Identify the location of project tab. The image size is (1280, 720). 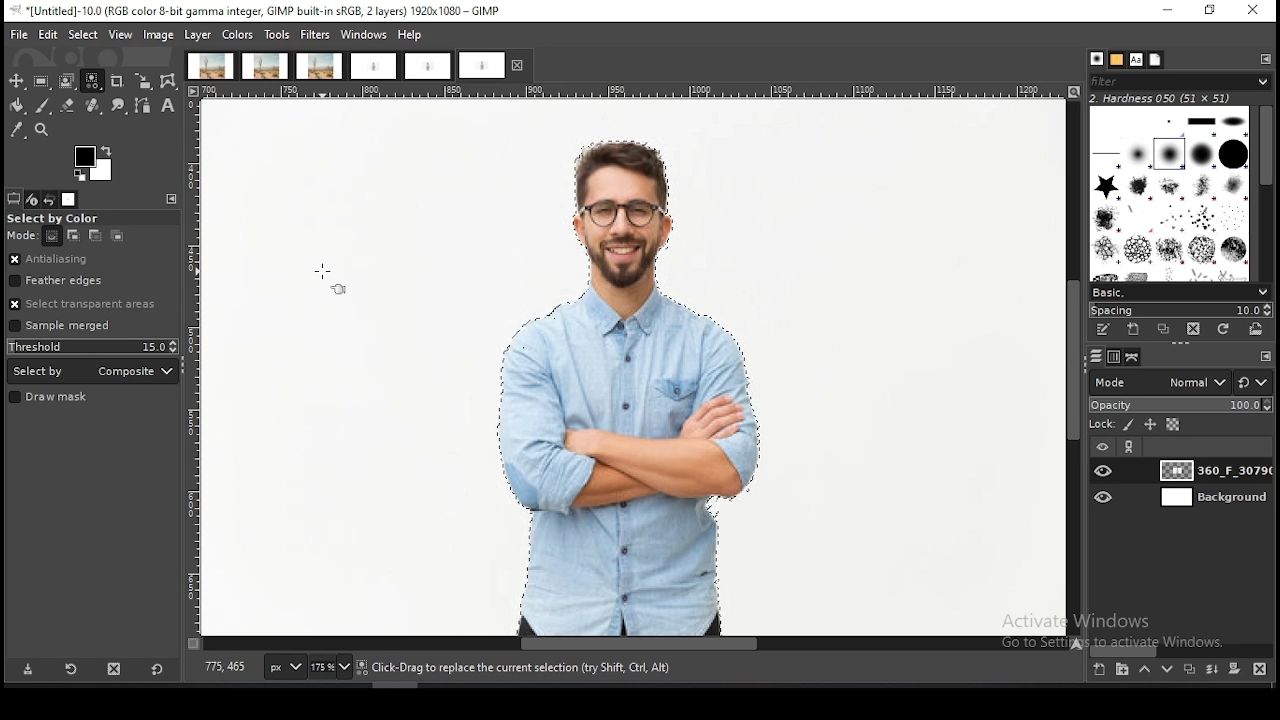
(210, 66).